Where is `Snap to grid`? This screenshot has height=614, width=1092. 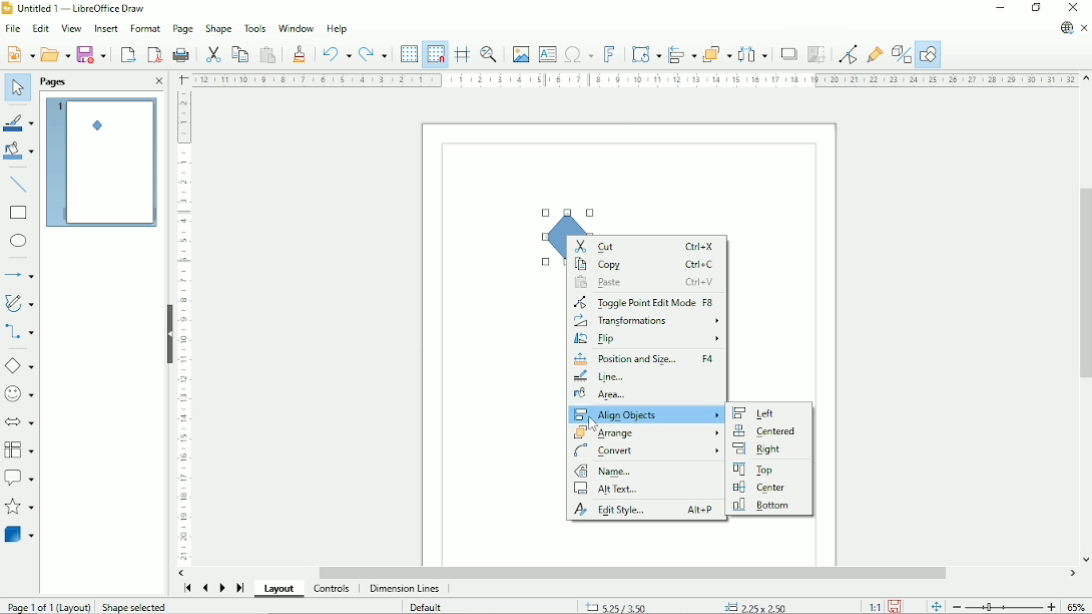 Snap to grid is located at coordinates (436, 54).